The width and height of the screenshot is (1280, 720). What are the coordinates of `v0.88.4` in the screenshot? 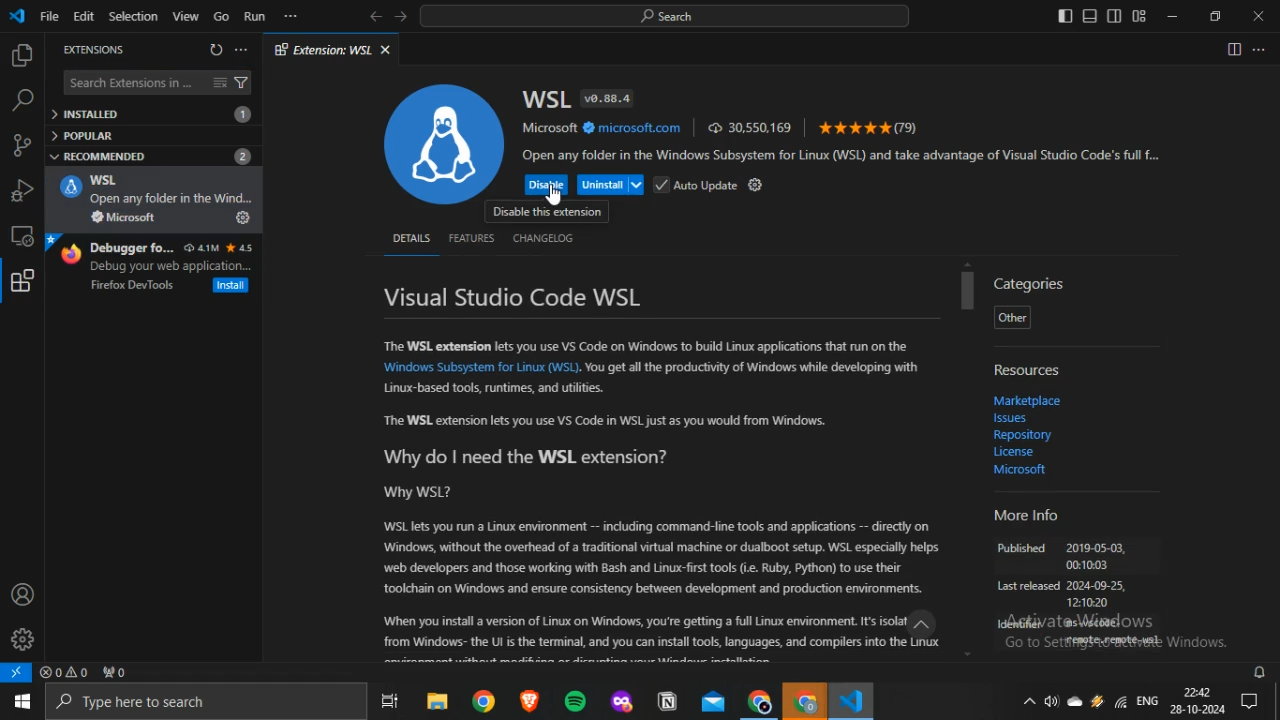 It's located at (606, 98).